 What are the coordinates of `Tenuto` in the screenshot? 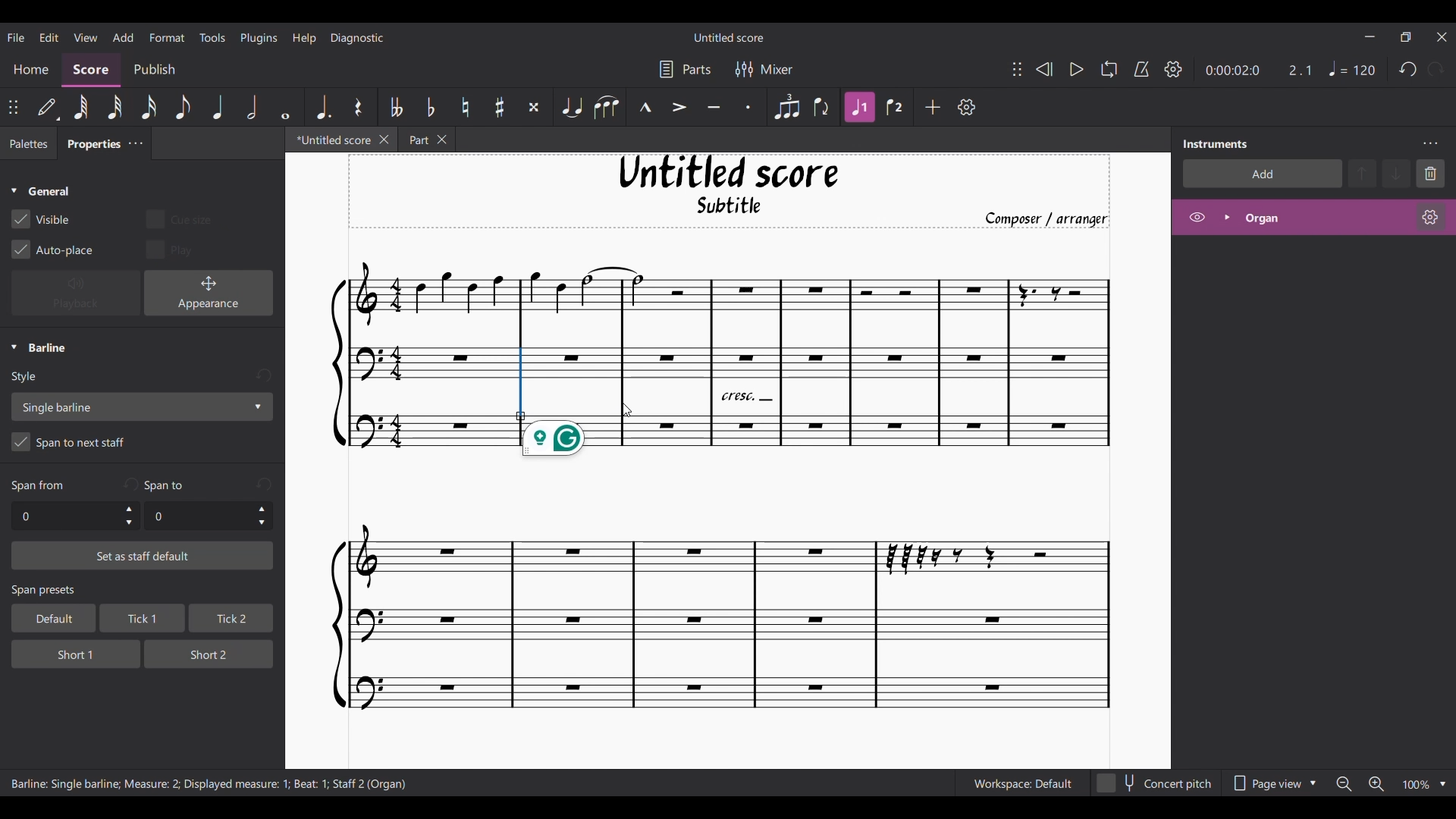 It's located at (714, 108).